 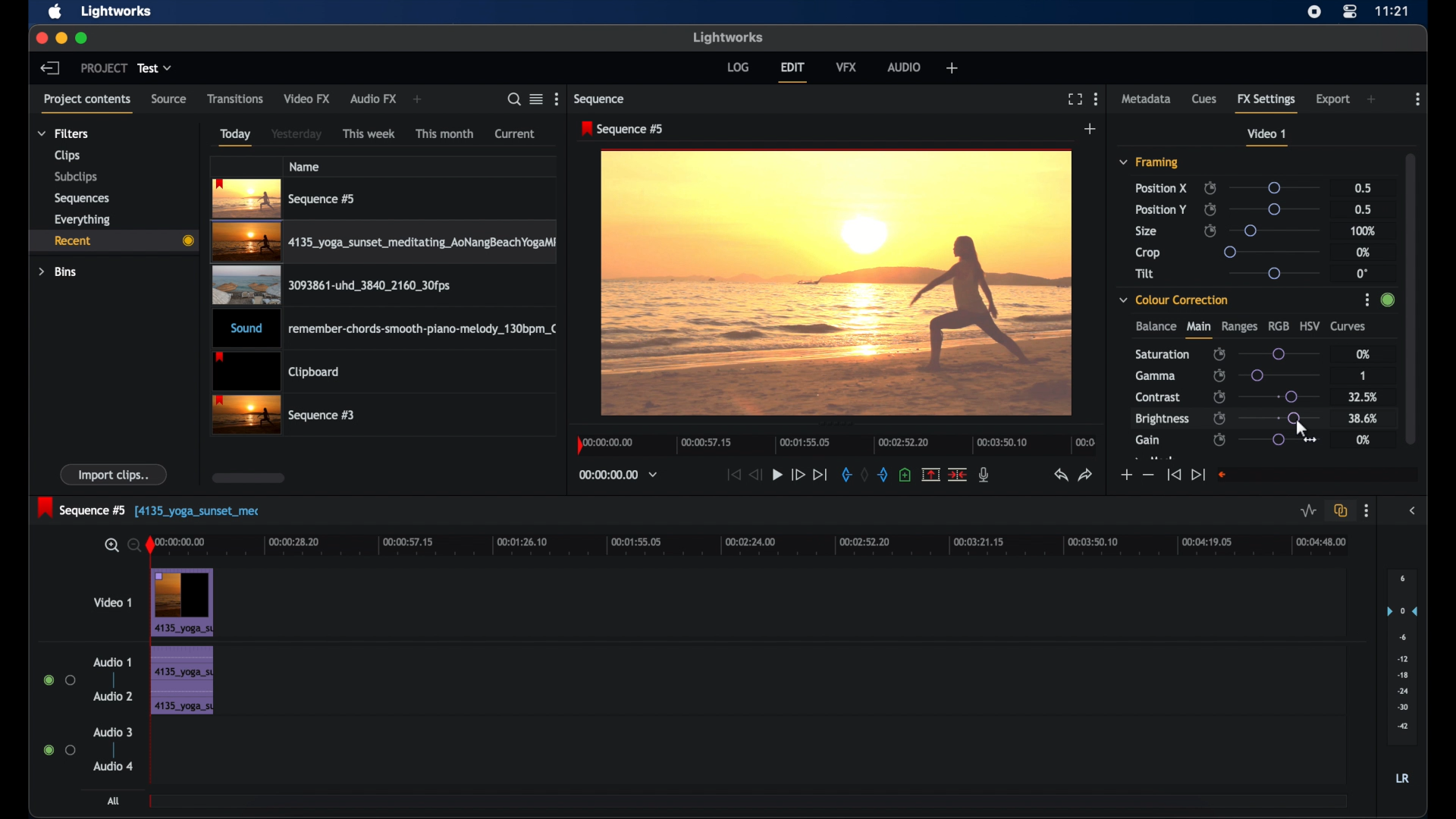 What do you see at coordinates (1361, 419) in the screenshot?
I see `38.6%` at bounding box center [1361, 419].